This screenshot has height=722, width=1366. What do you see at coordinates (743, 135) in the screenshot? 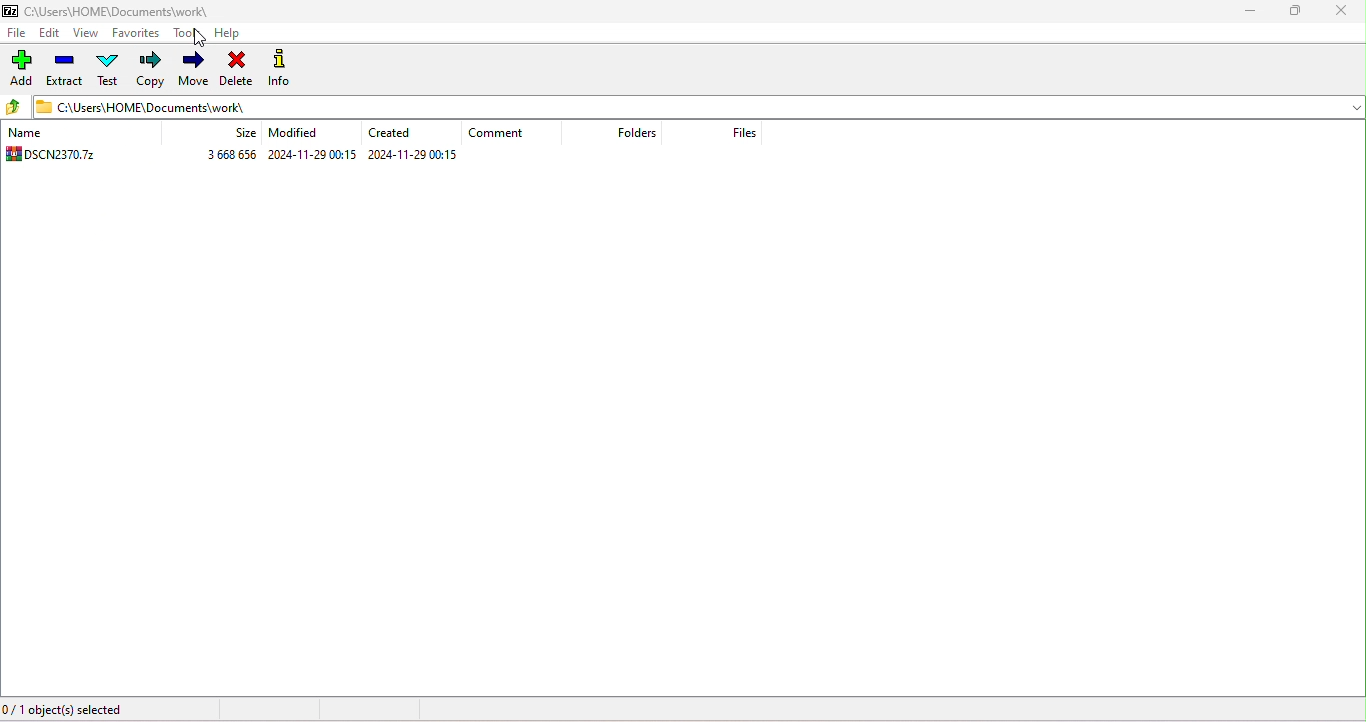
I see `files` at bounding box center [743, 135].